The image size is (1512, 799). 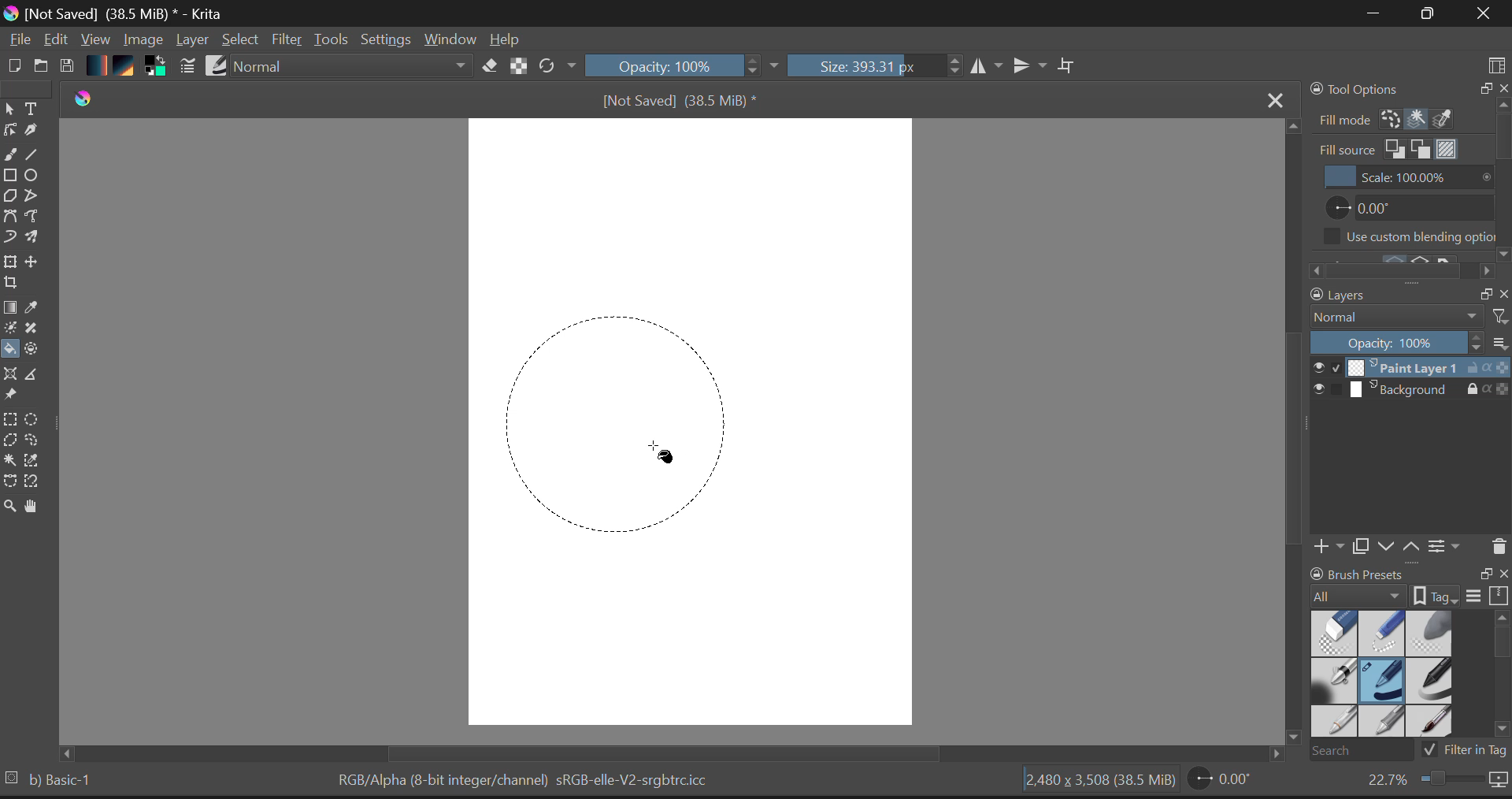 What do you see at coordinates (38, 266) in the screenshot?
I see `Move Layer` at bounding box center [38, 266].